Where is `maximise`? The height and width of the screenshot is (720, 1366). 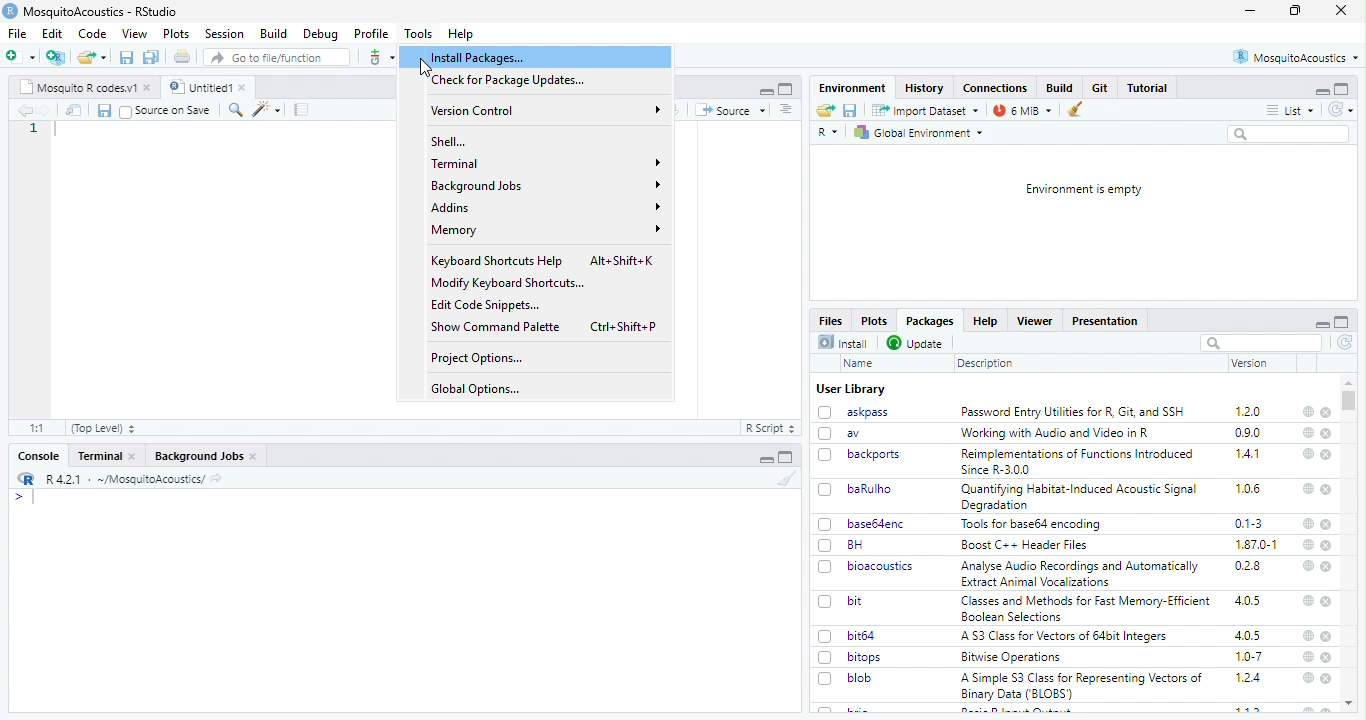
maximise is located at coordinates (1342, 89).